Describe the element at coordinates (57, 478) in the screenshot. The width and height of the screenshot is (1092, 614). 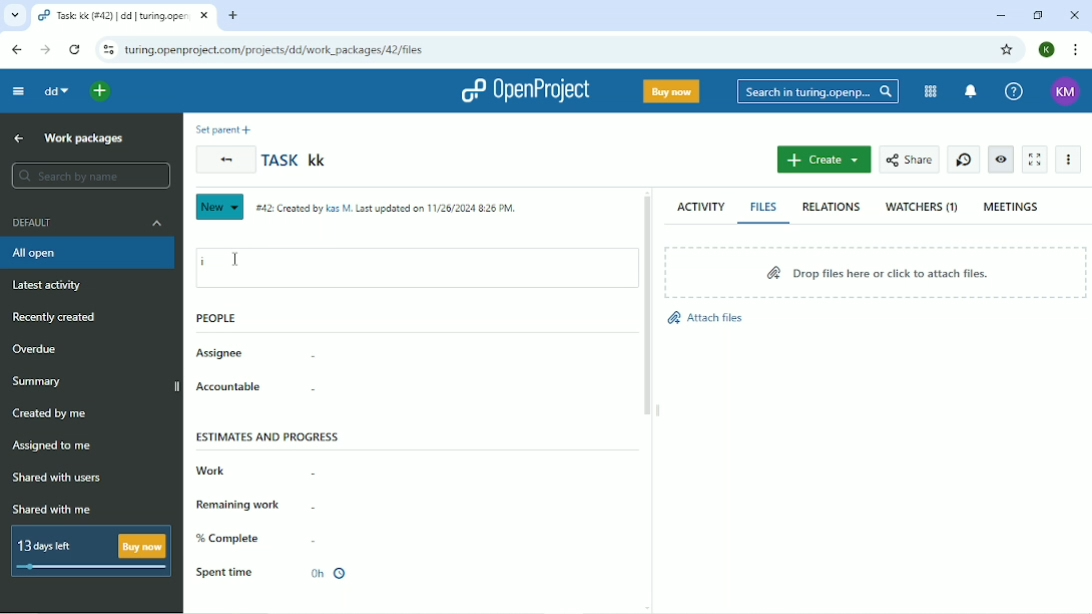
I see `Shared with users` at that location.